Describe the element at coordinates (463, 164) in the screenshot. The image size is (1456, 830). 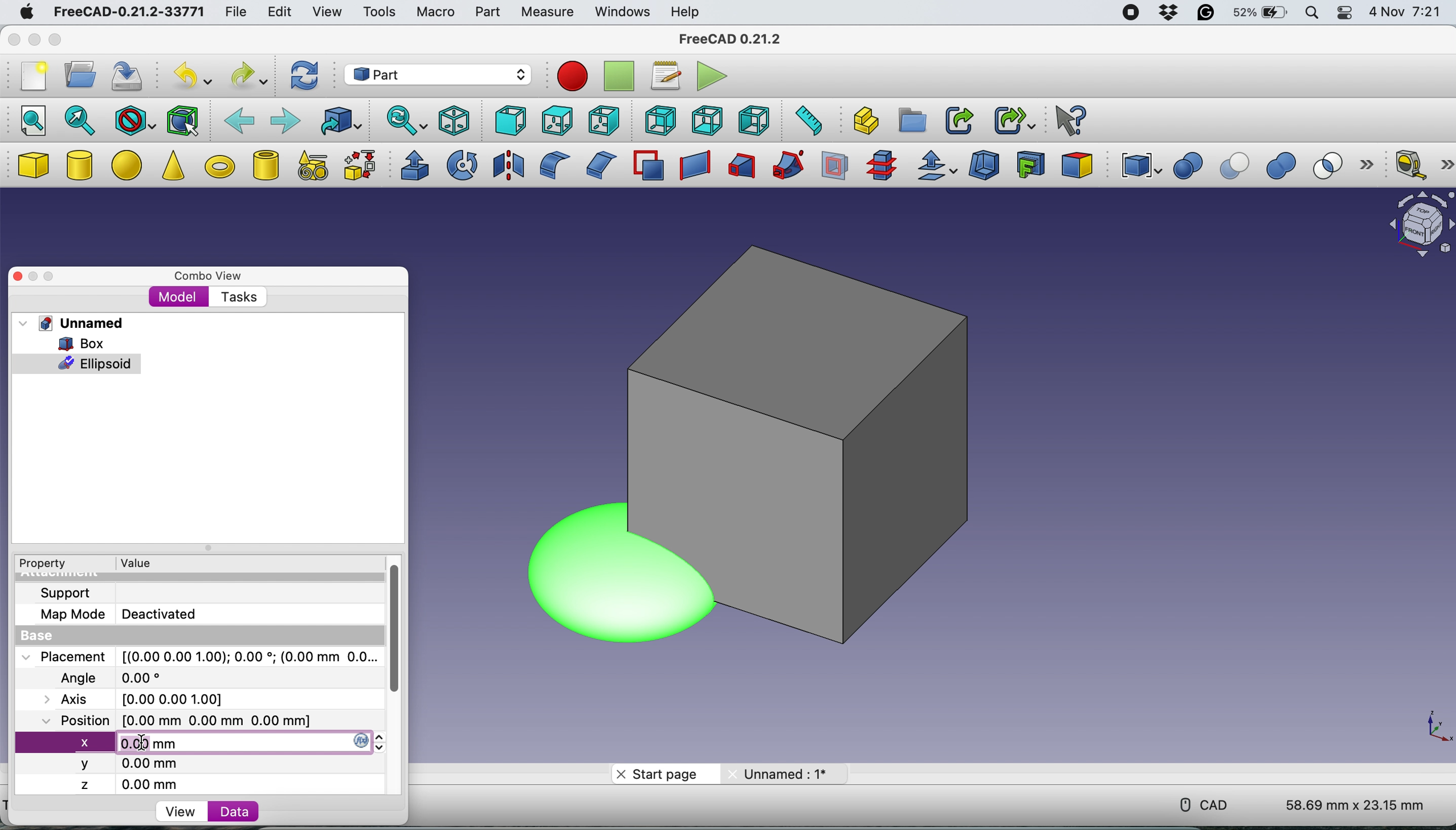
I see `revolve` at that location.